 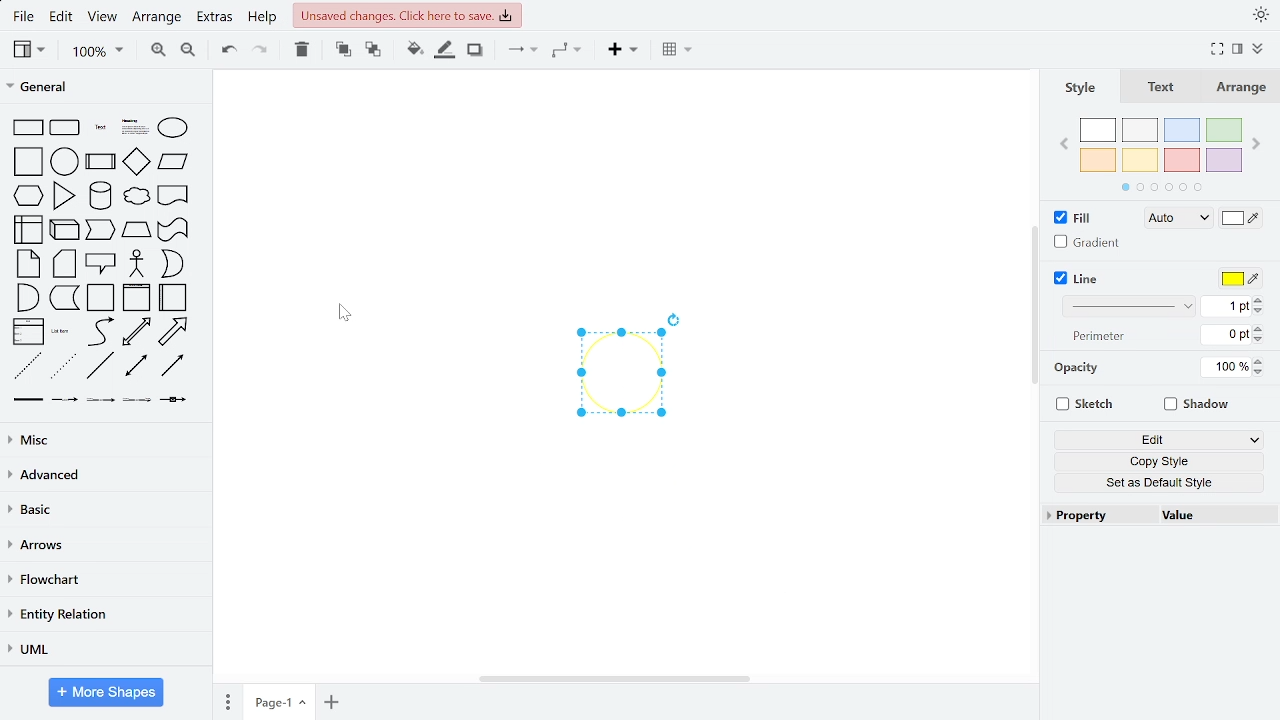 What do you see at coordinates (229, 701) in the screenshot?
I see `pages` at bounding box center [229, 701].